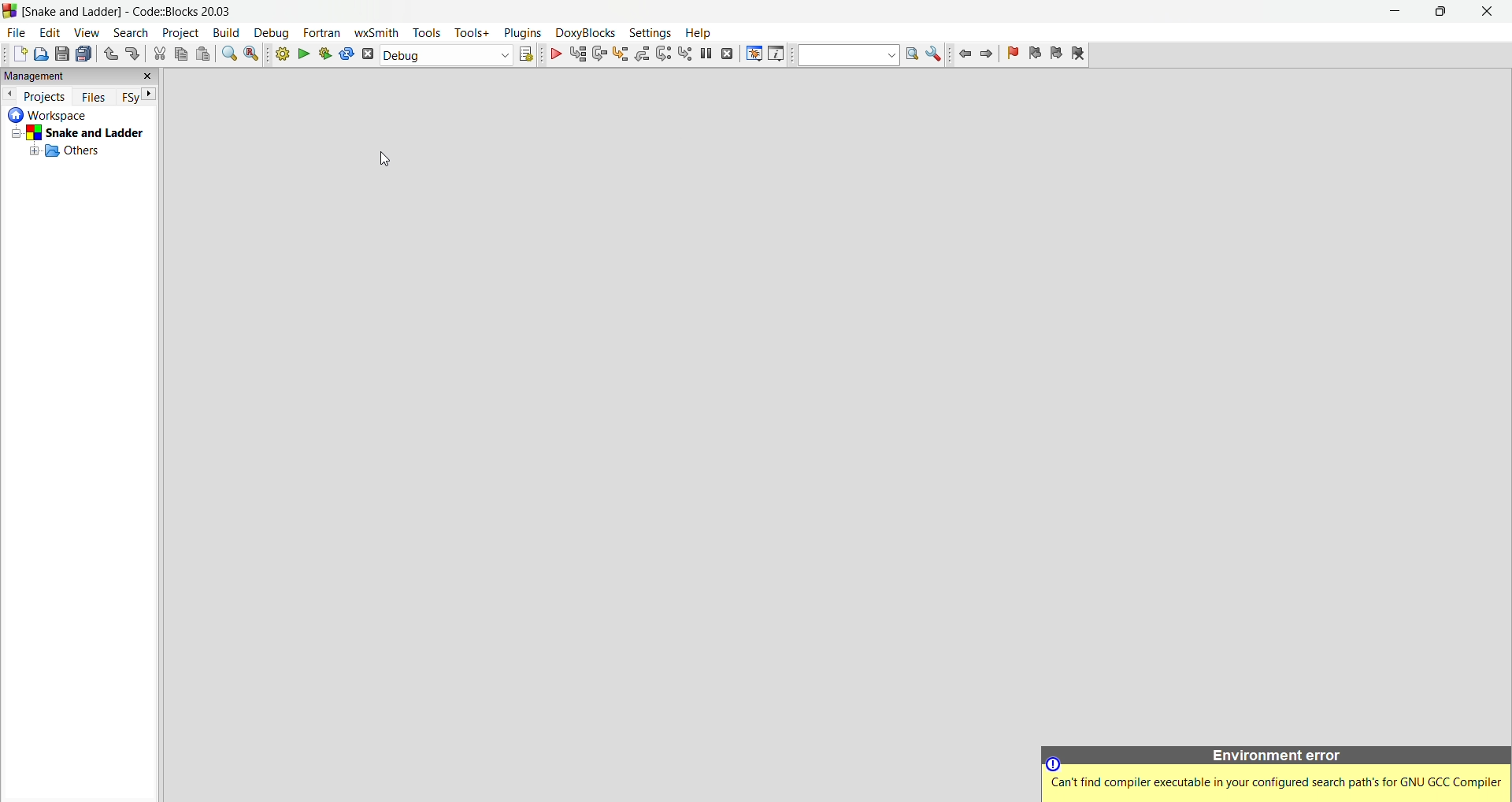 The image size is (1512, 802). What do you see at coordinates (62, 55) in the screenshot?
I see `save` at bounding box center [62, 55].